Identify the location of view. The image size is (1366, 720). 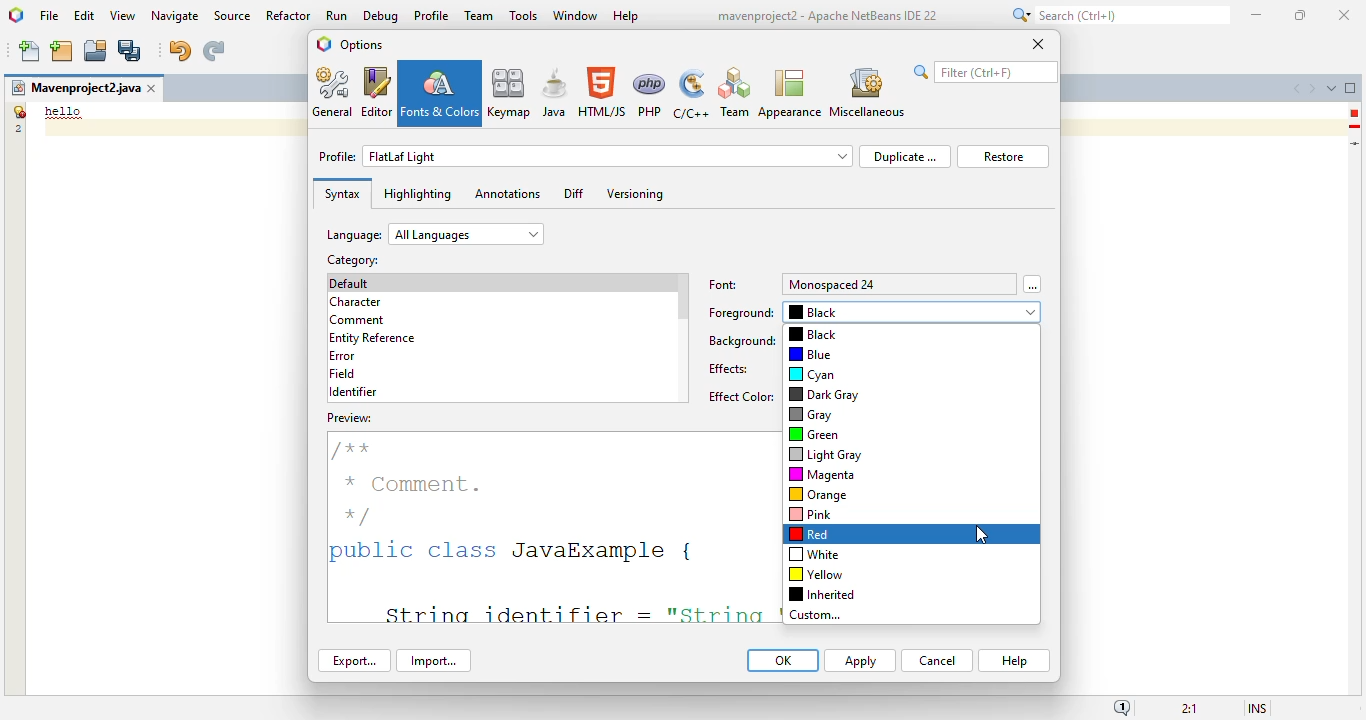
(123, 16).